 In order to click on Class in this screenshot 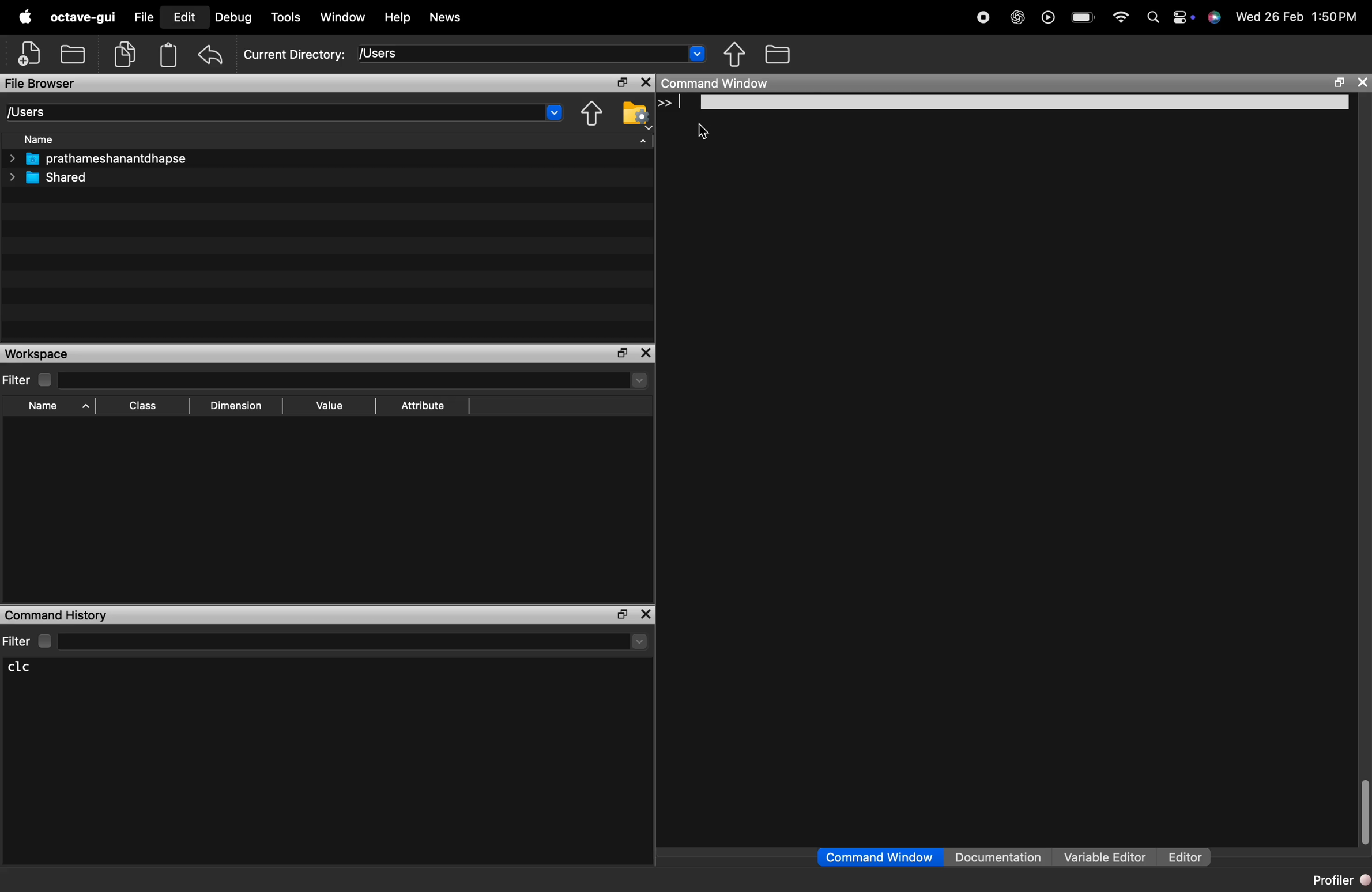, I will do `click(144, 407)`.